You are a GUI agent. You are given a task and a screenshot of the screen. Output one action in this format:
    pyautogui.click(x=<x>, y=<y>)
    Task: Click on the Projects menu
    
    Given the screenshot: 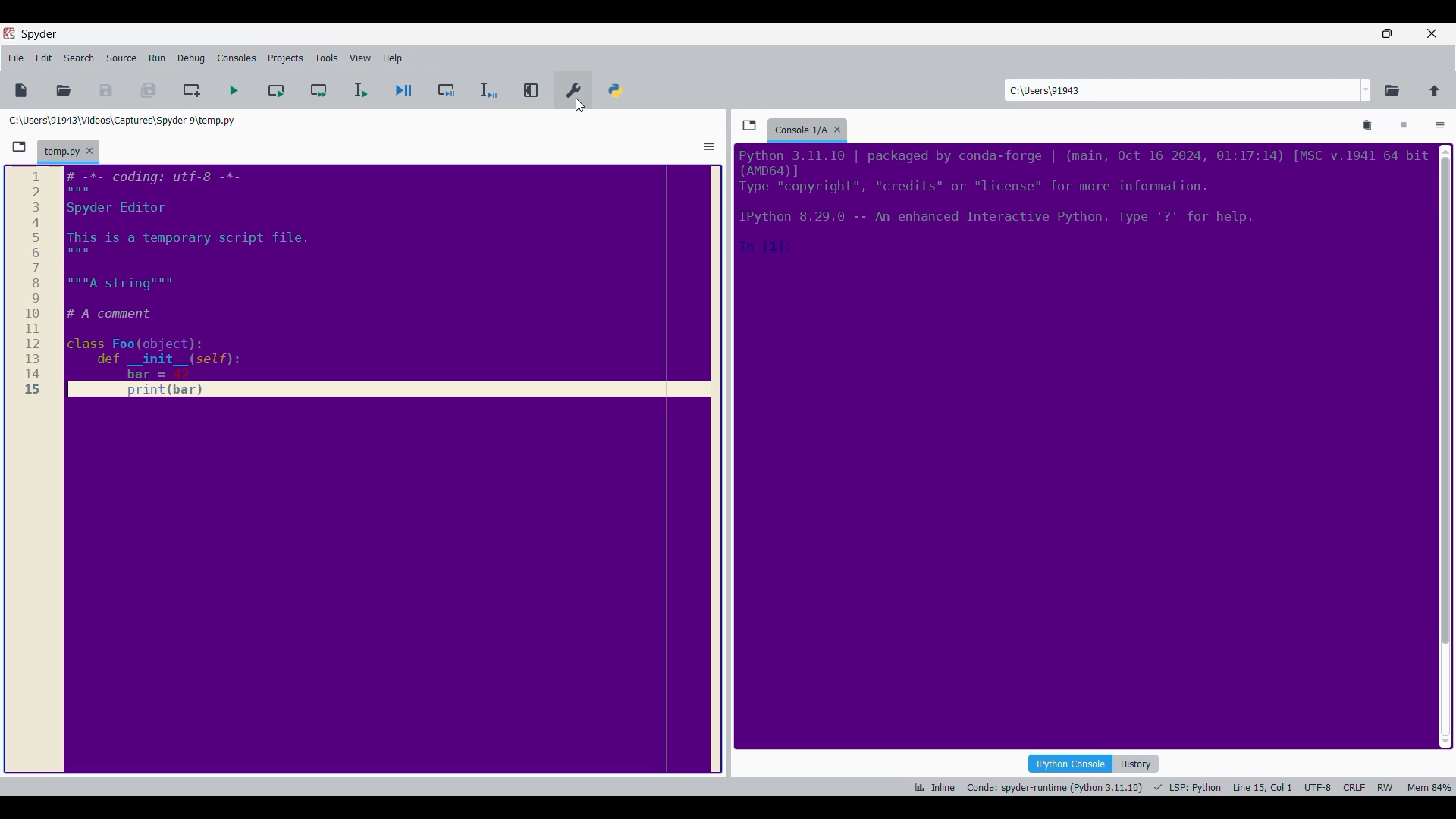 What is the action you would take?
    pyautogui.click(x=286, y=58)
    